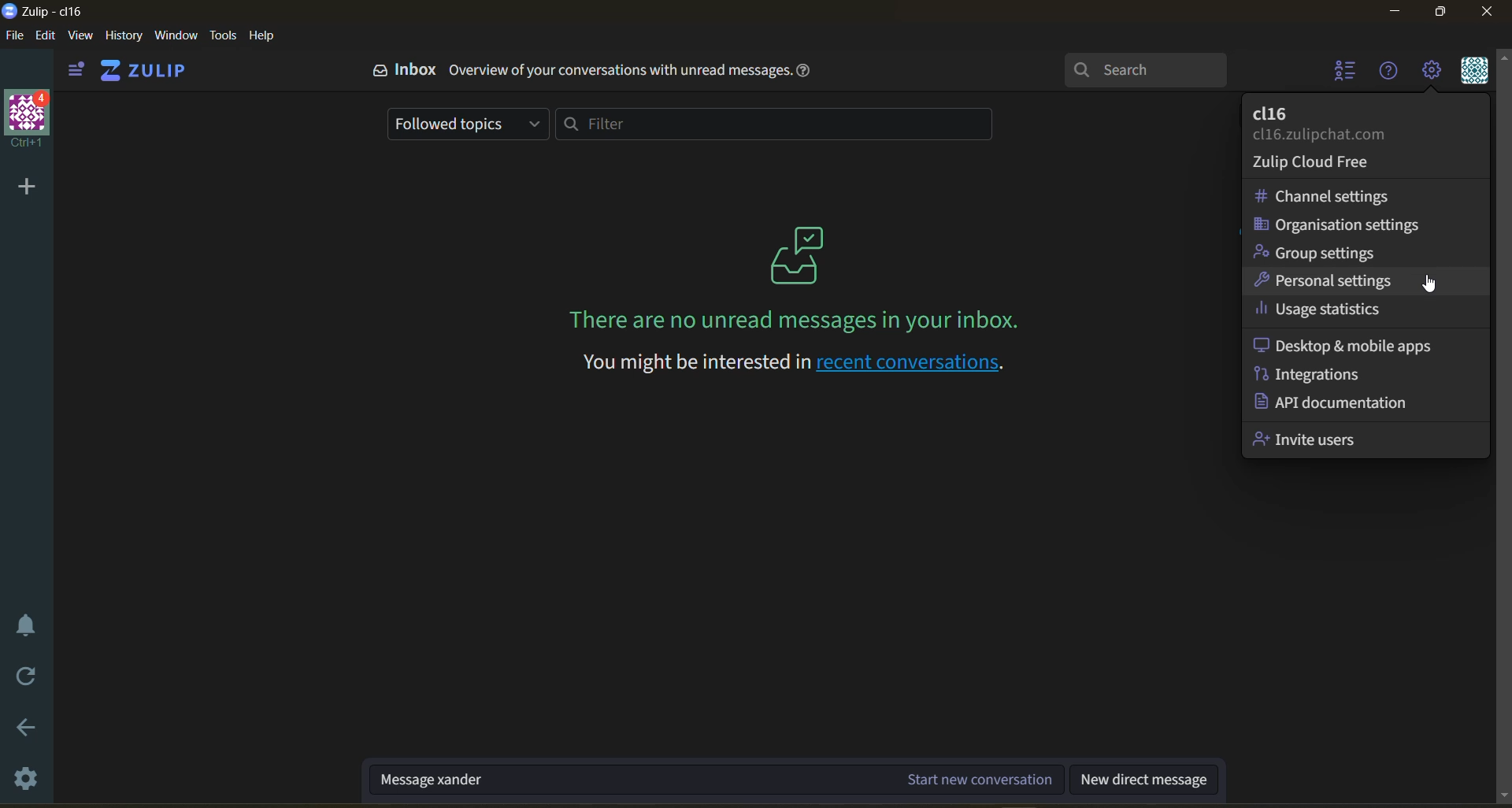 This screenshot has width=1512, height=808. I want to click on start new conversation, so click(717, 779).